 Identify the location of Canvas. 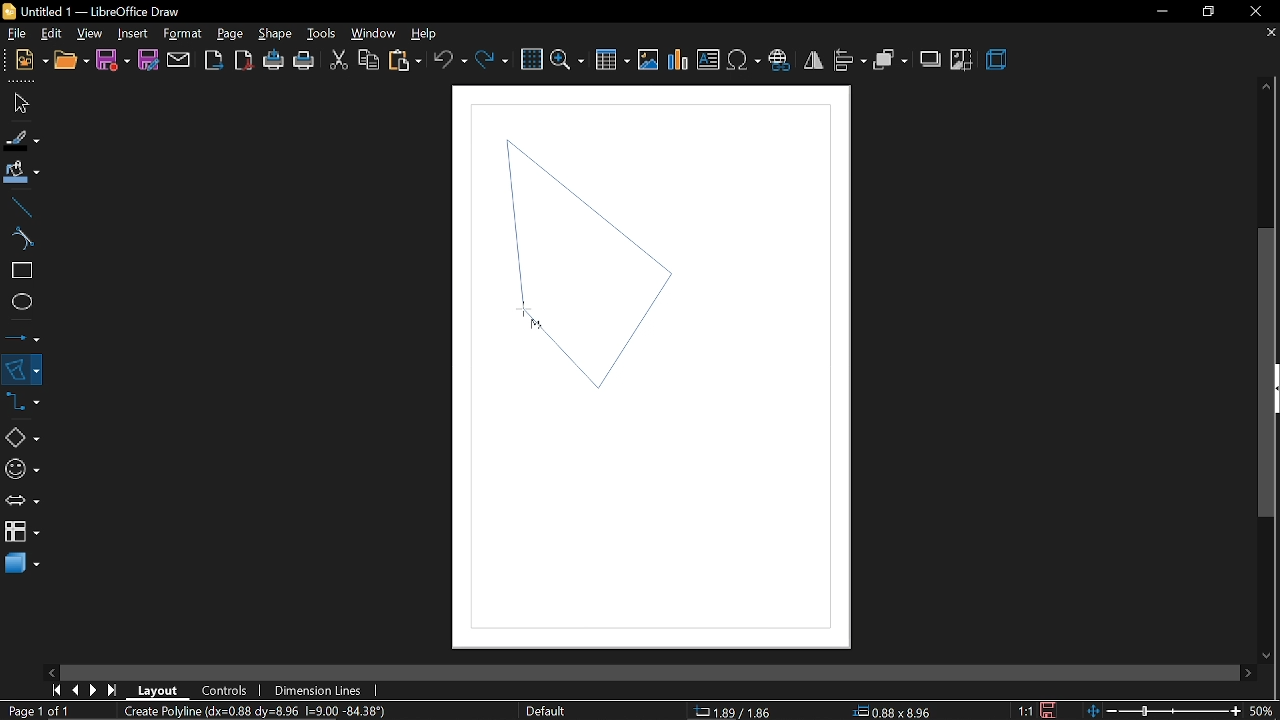
(654, 367).